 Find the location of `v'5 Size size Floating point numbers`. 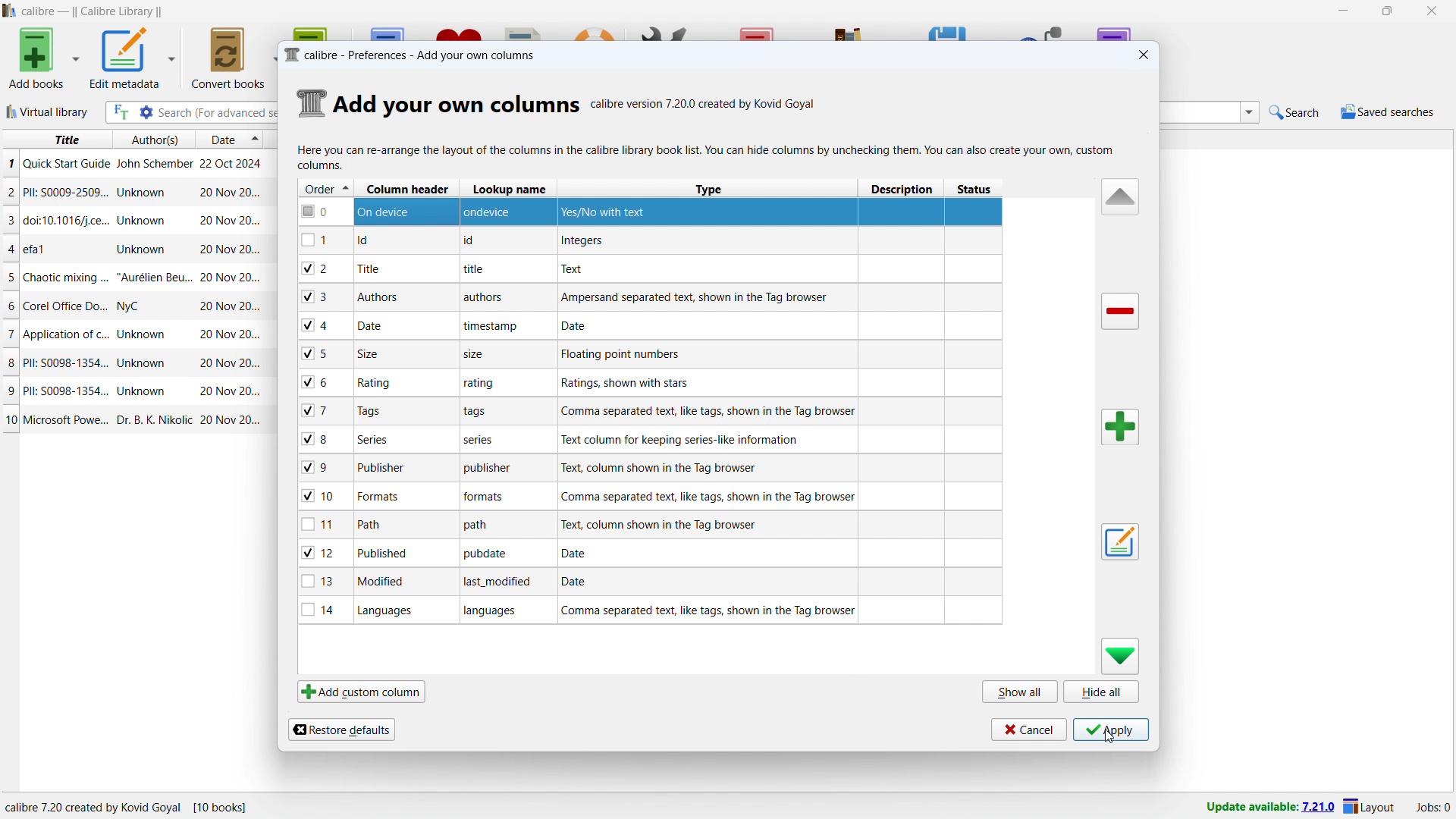

v'5 Size size Floating point numbers is located at coordinates (647, 352).